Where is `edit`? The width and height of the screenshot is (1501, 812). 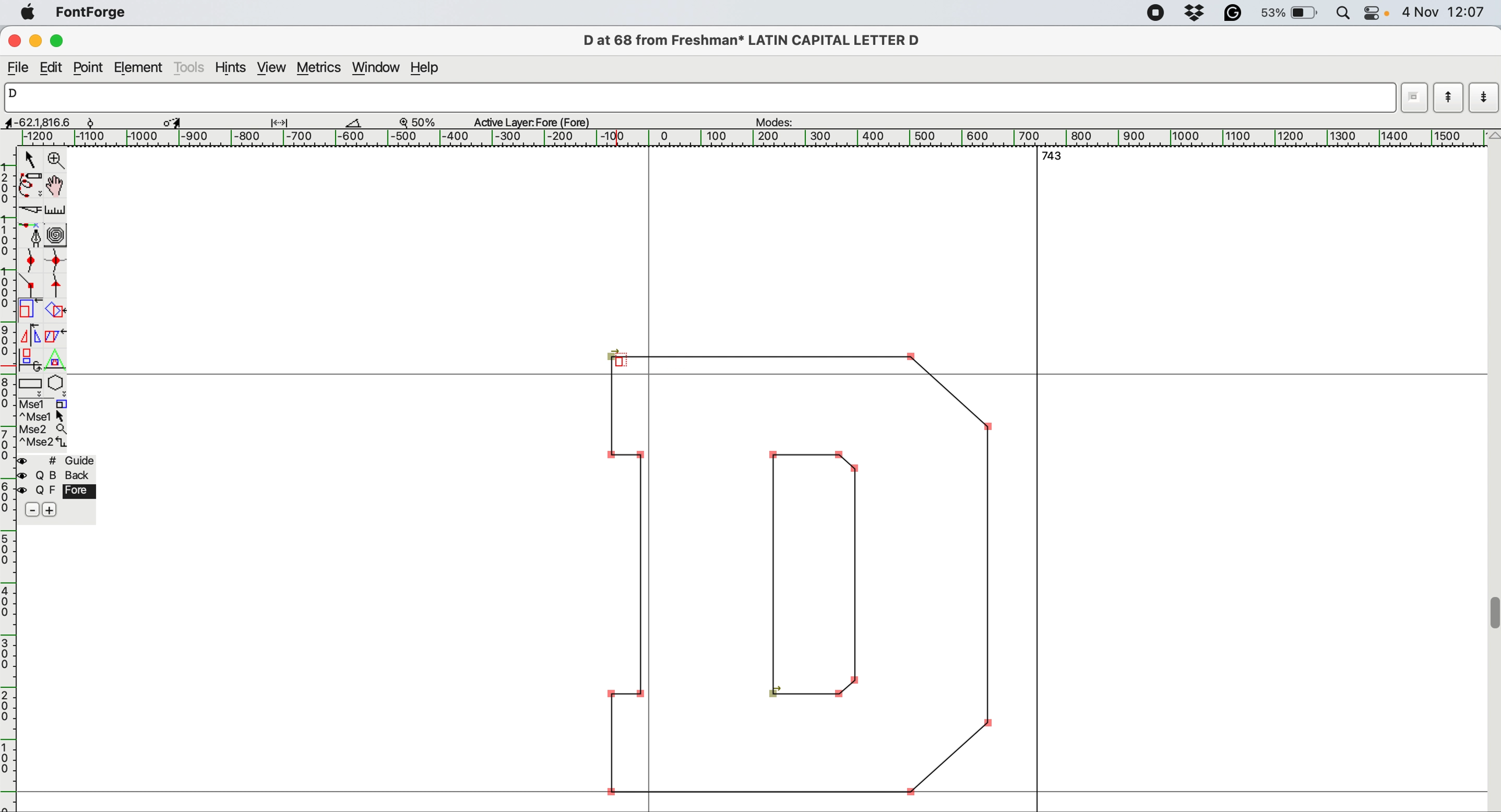 edit is located at coordinates (55, 68).